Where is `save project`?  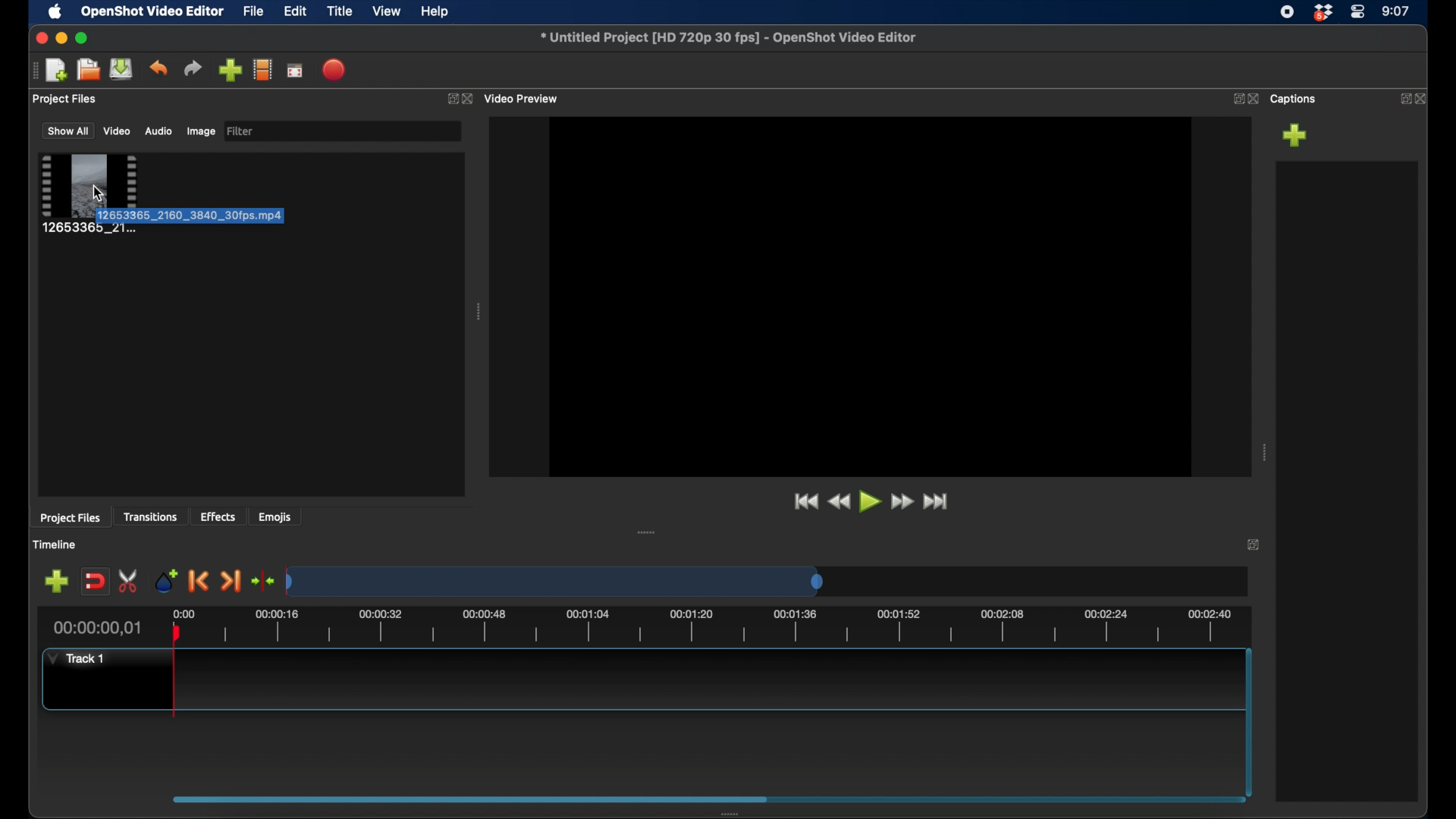 save project is located at coordinates (122, 70).